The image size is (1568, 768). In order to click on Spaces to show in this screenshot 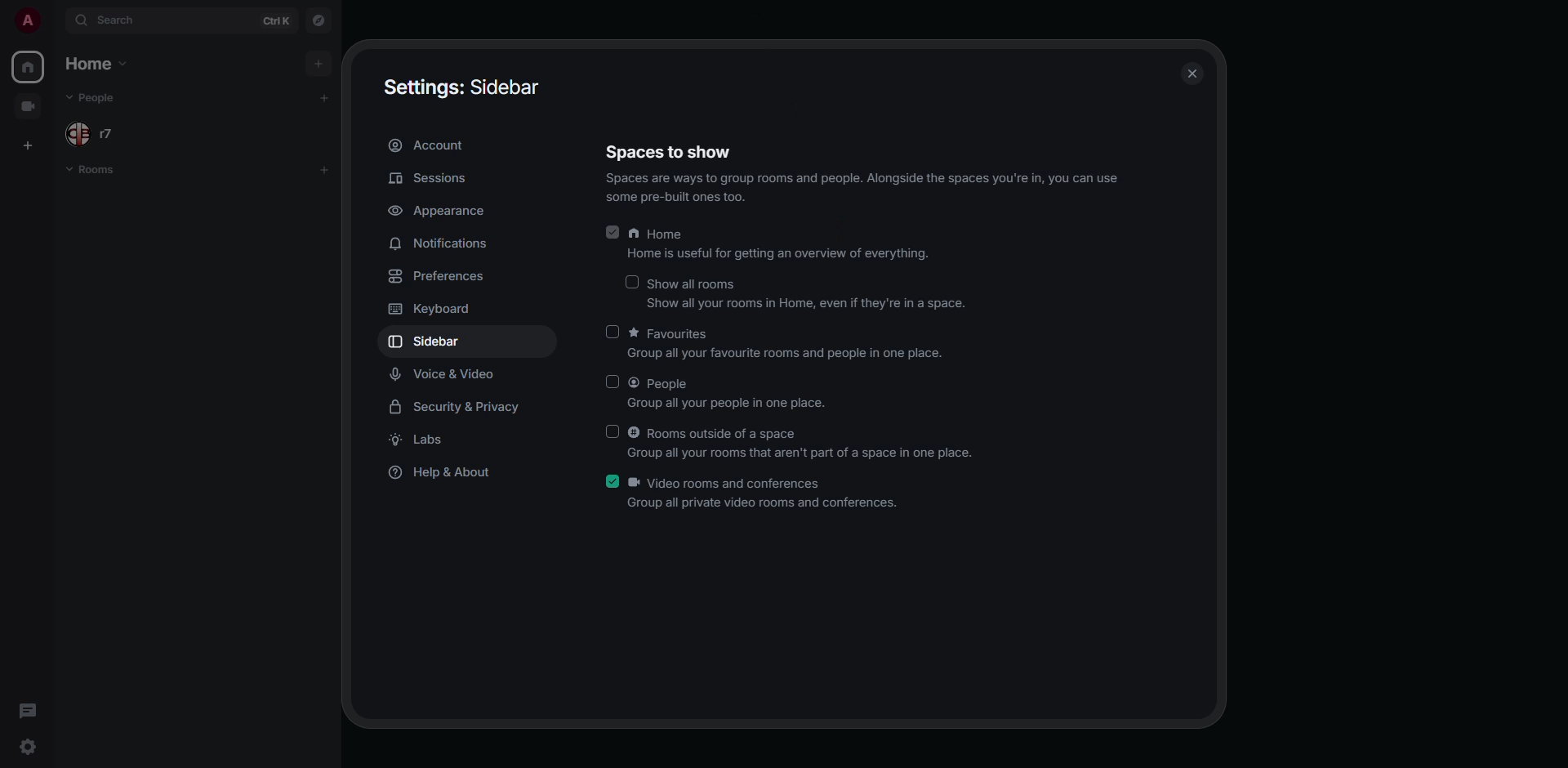, I will do `click(677, 150)`.